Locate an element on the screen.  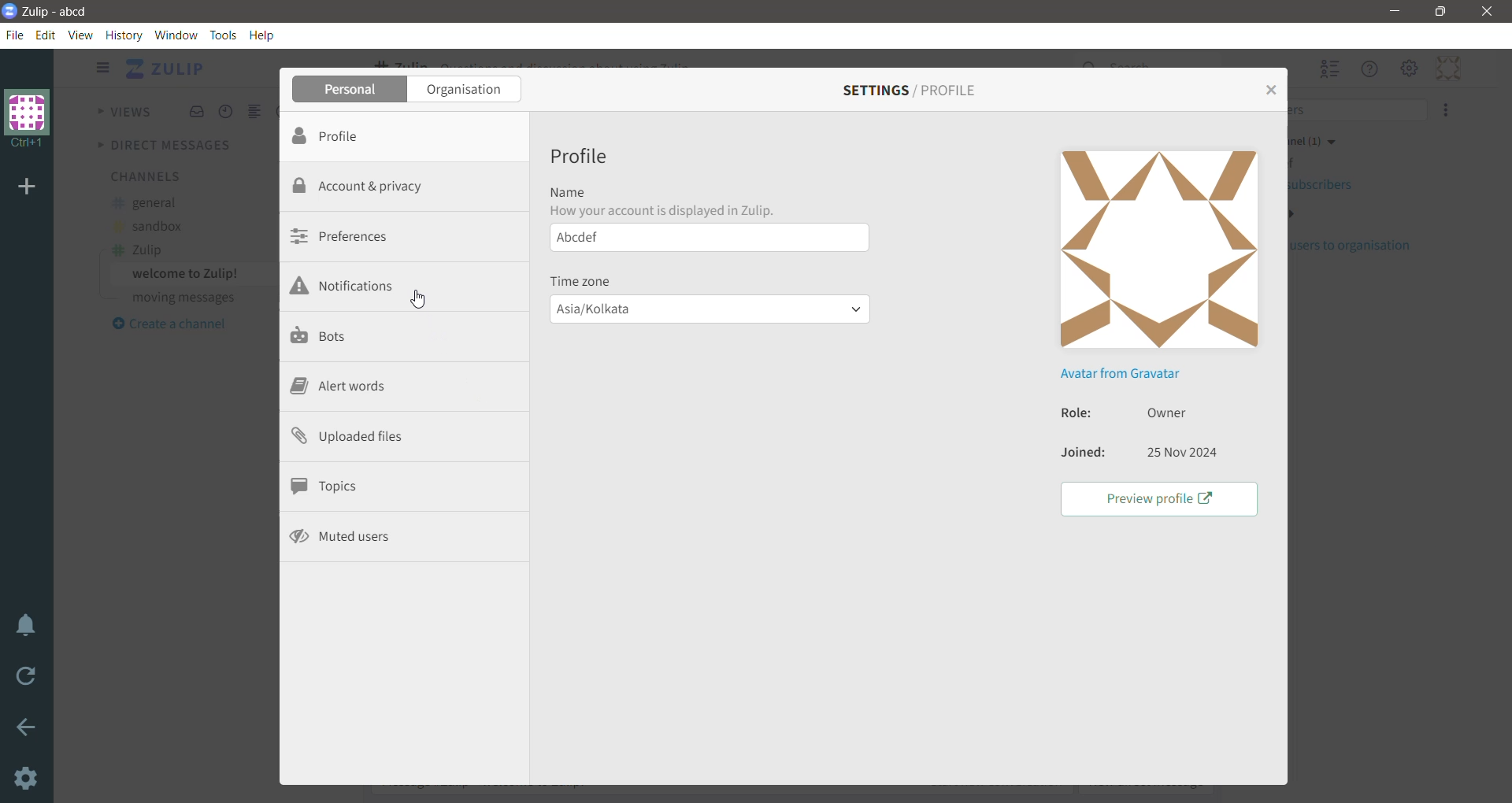
Close is located at coordinates (1269, 90).